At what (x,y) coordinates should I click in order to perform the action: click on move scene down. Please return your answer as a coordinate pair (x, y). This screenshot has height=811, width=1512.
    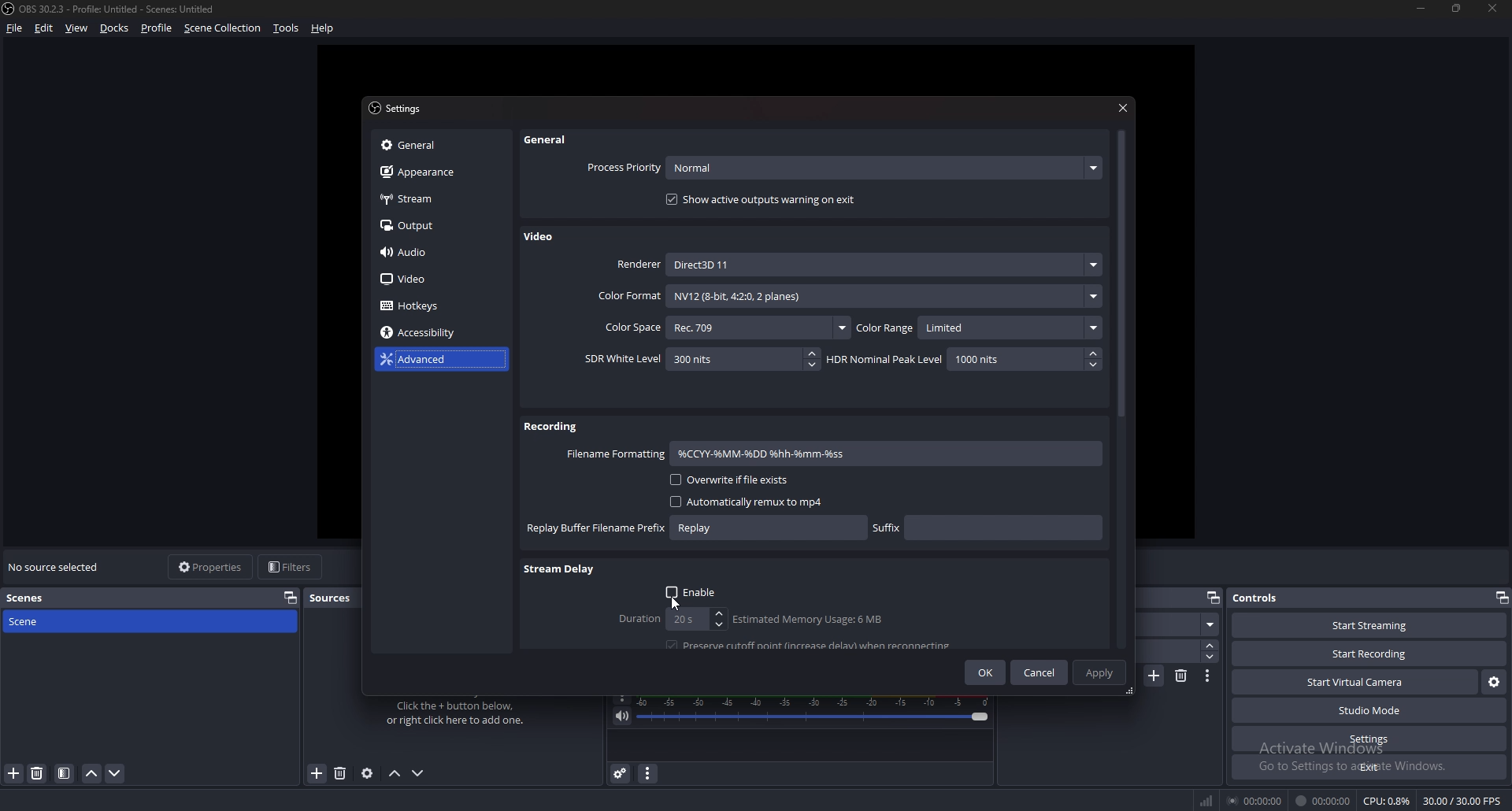
    Looking at the image, I should click on (115, 774).